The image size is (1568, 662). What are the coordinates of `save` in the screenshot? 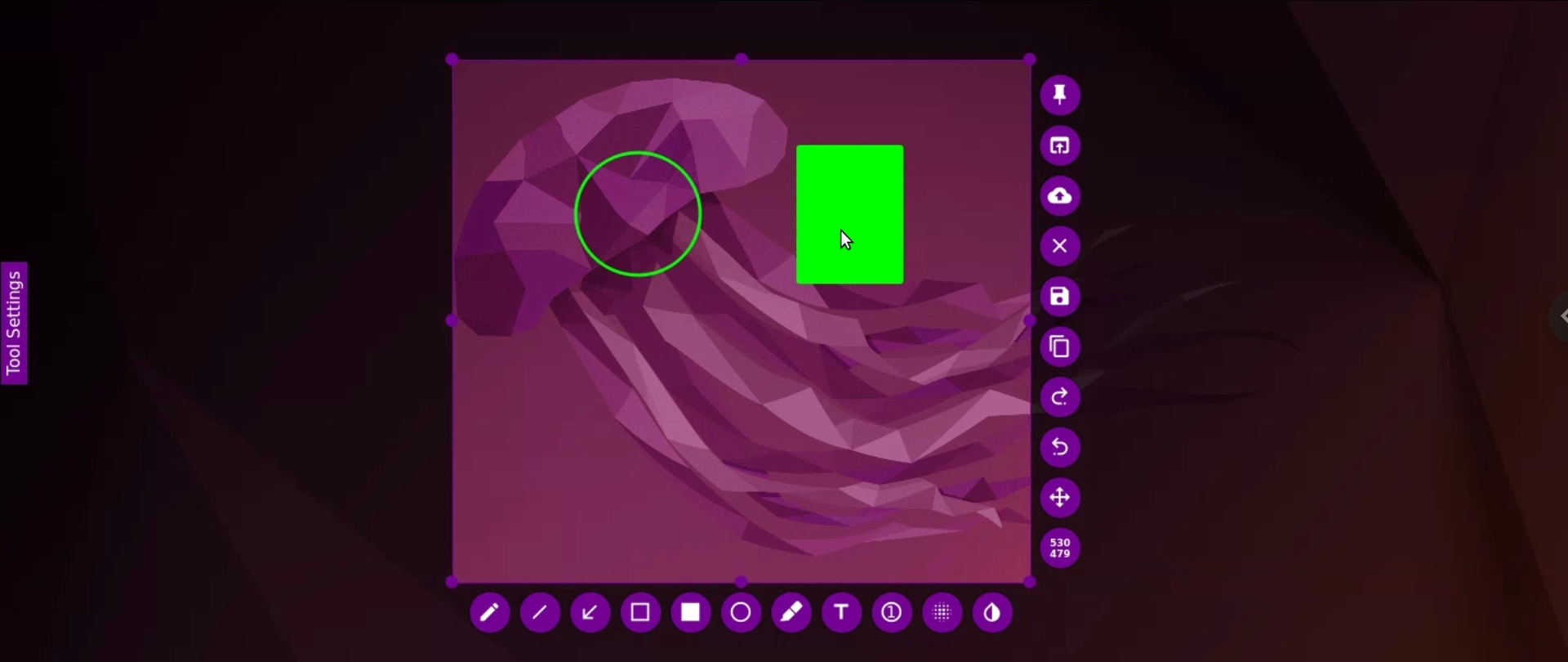 It's located at (1060, 296).